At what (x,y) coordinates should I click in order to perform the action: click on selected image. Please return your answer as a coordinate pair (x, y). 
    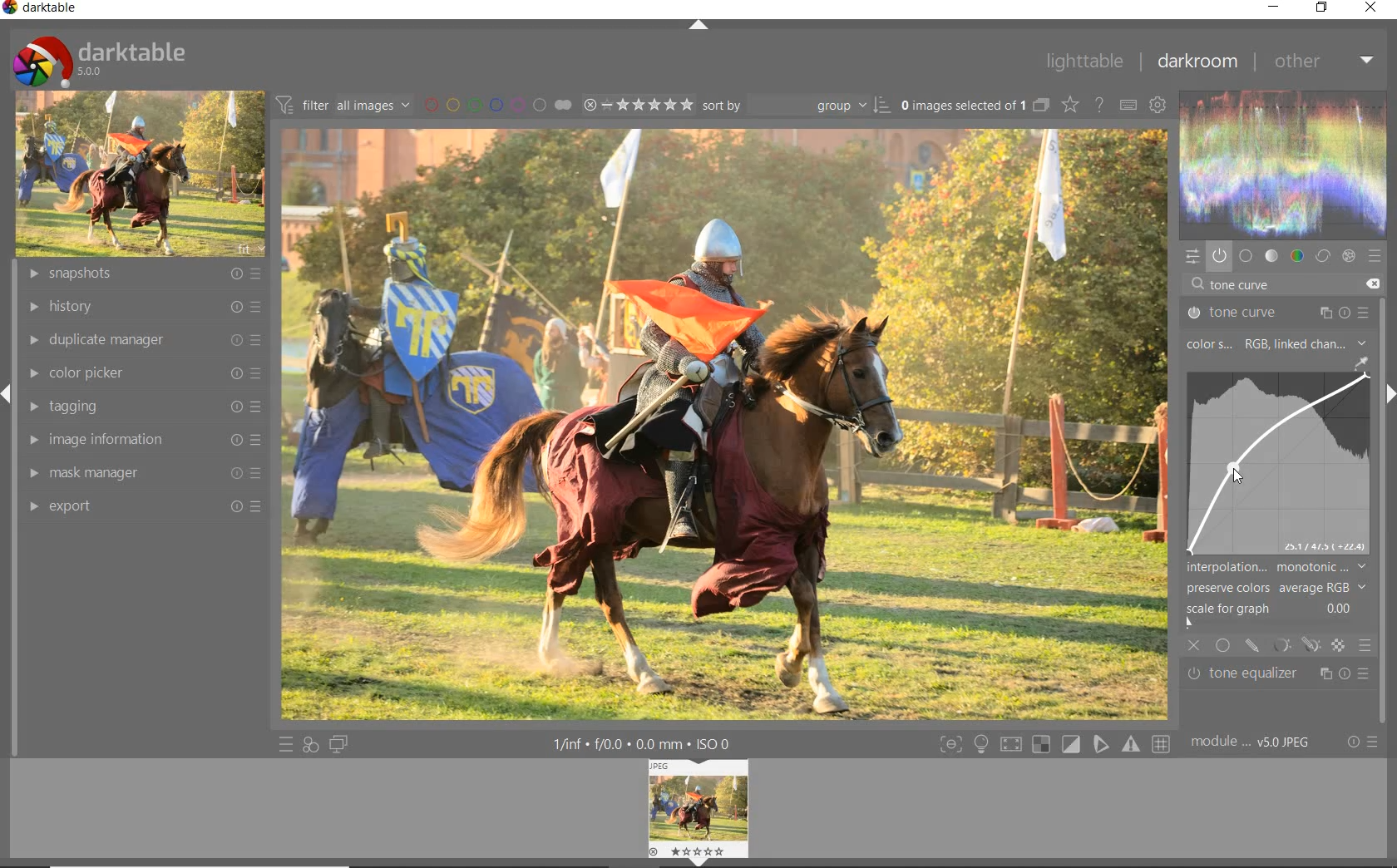
    Looking at the image, I should click on (722, 423).